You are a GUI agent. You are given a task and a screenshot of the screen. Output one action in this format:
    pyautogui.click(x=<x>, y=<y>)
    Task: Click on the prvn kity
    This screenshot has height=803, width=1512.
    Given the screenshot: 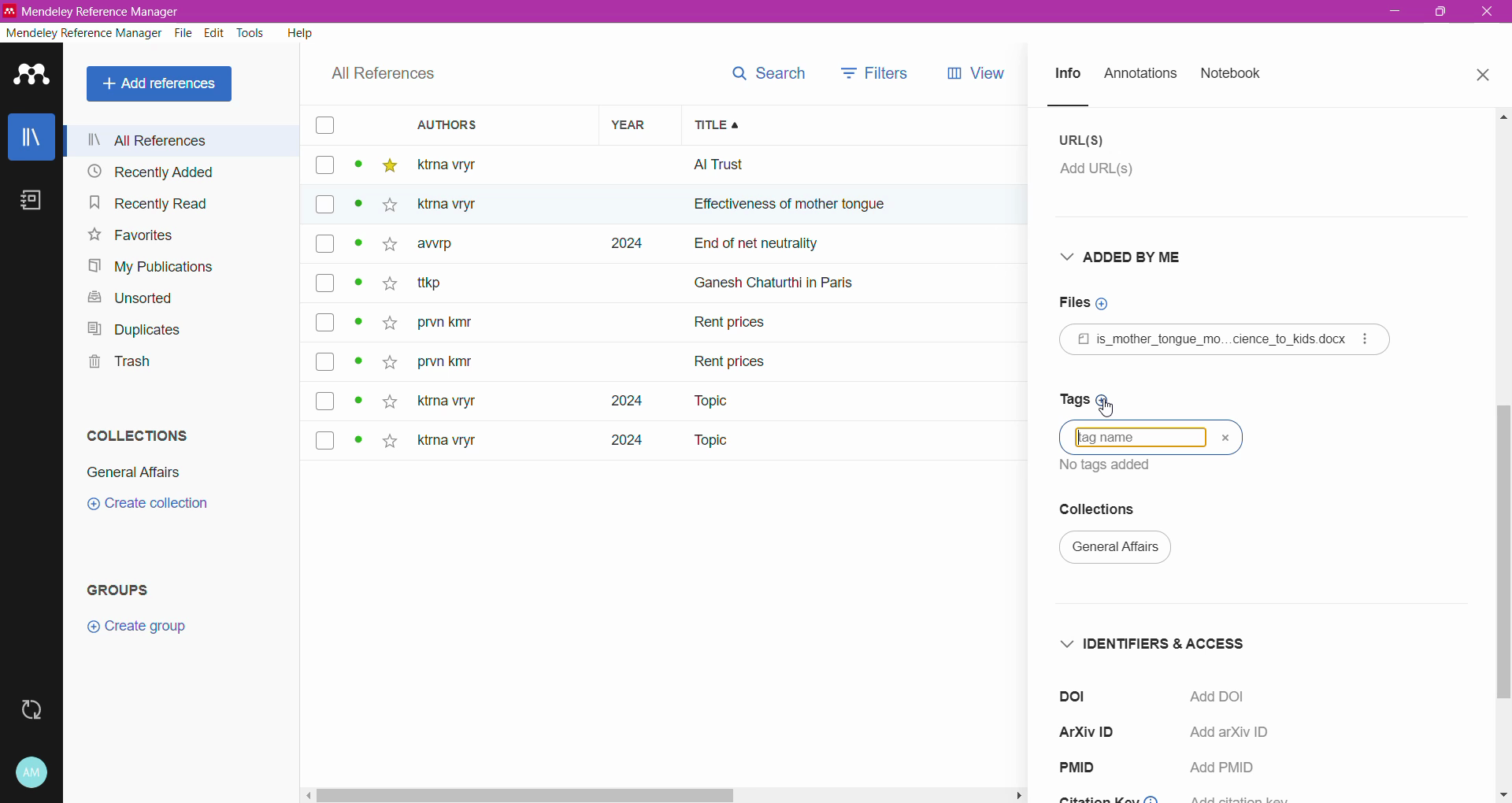 What is the action you would take?
    pyautogui.click(x=454, y=324)
    